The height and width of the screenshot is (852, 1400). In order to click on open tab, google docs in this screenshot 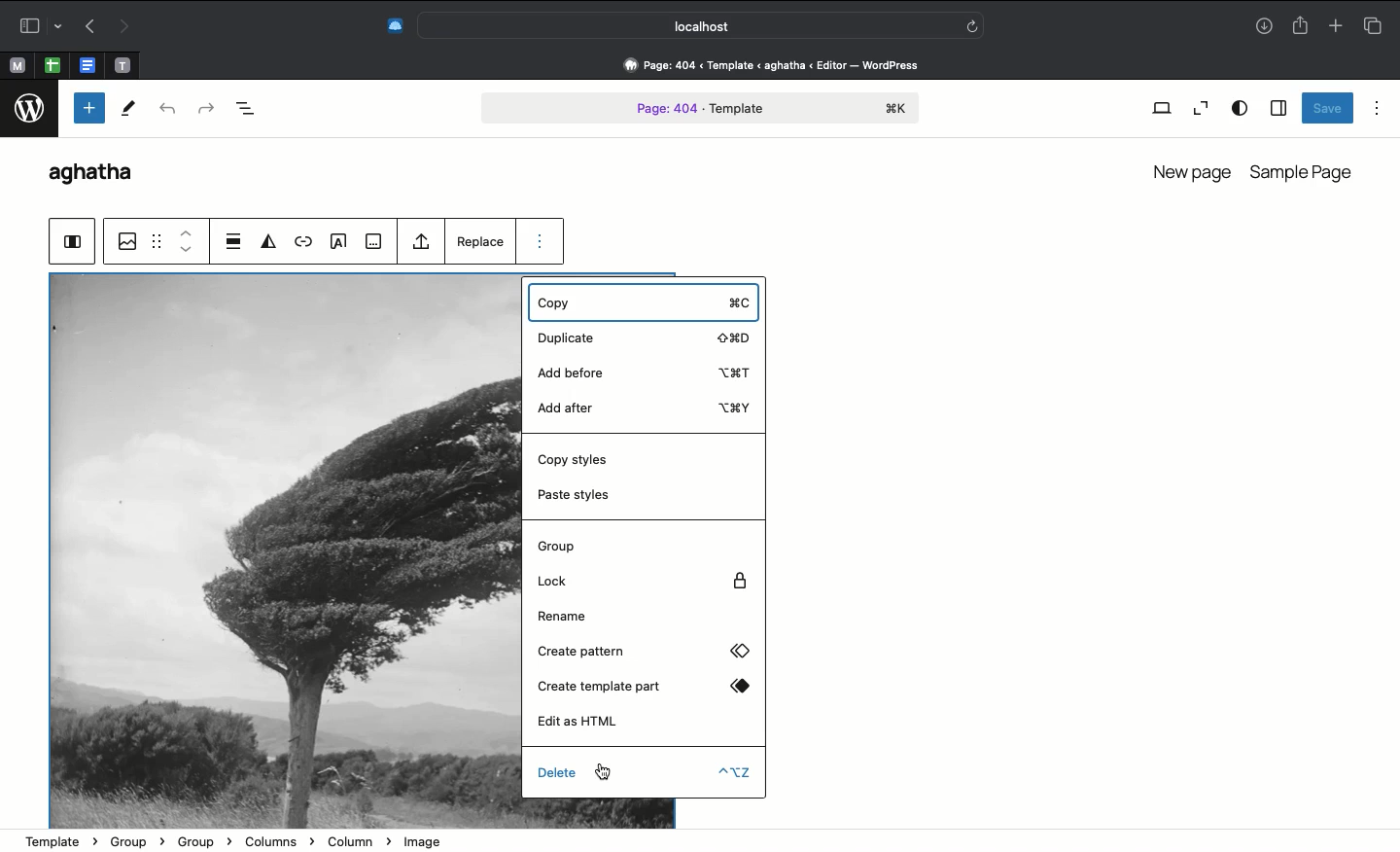, I will do `click(86, 66)`.